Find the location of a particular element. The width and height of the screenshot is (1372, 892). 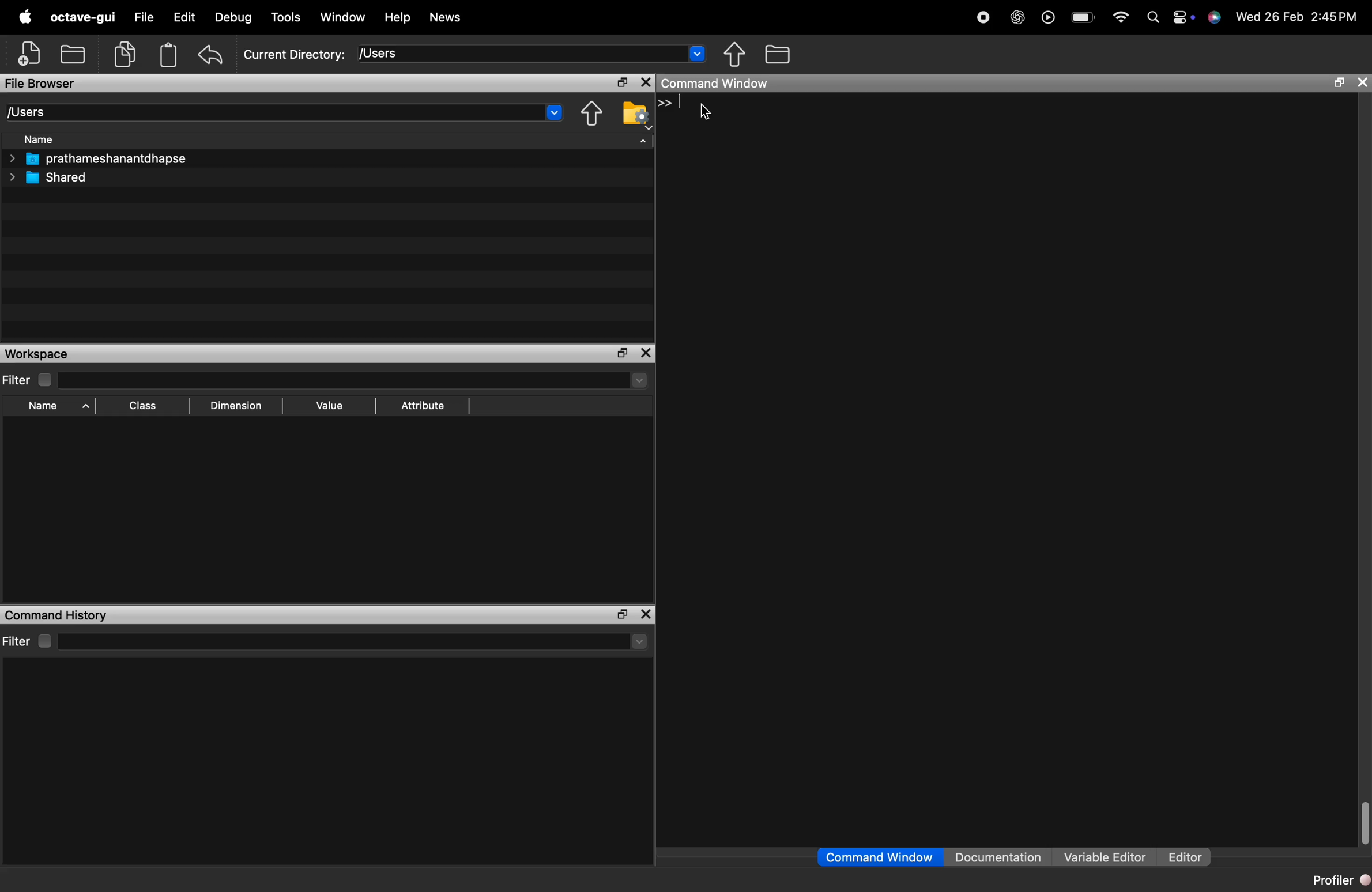

Name is located at coordinates (44, 407).